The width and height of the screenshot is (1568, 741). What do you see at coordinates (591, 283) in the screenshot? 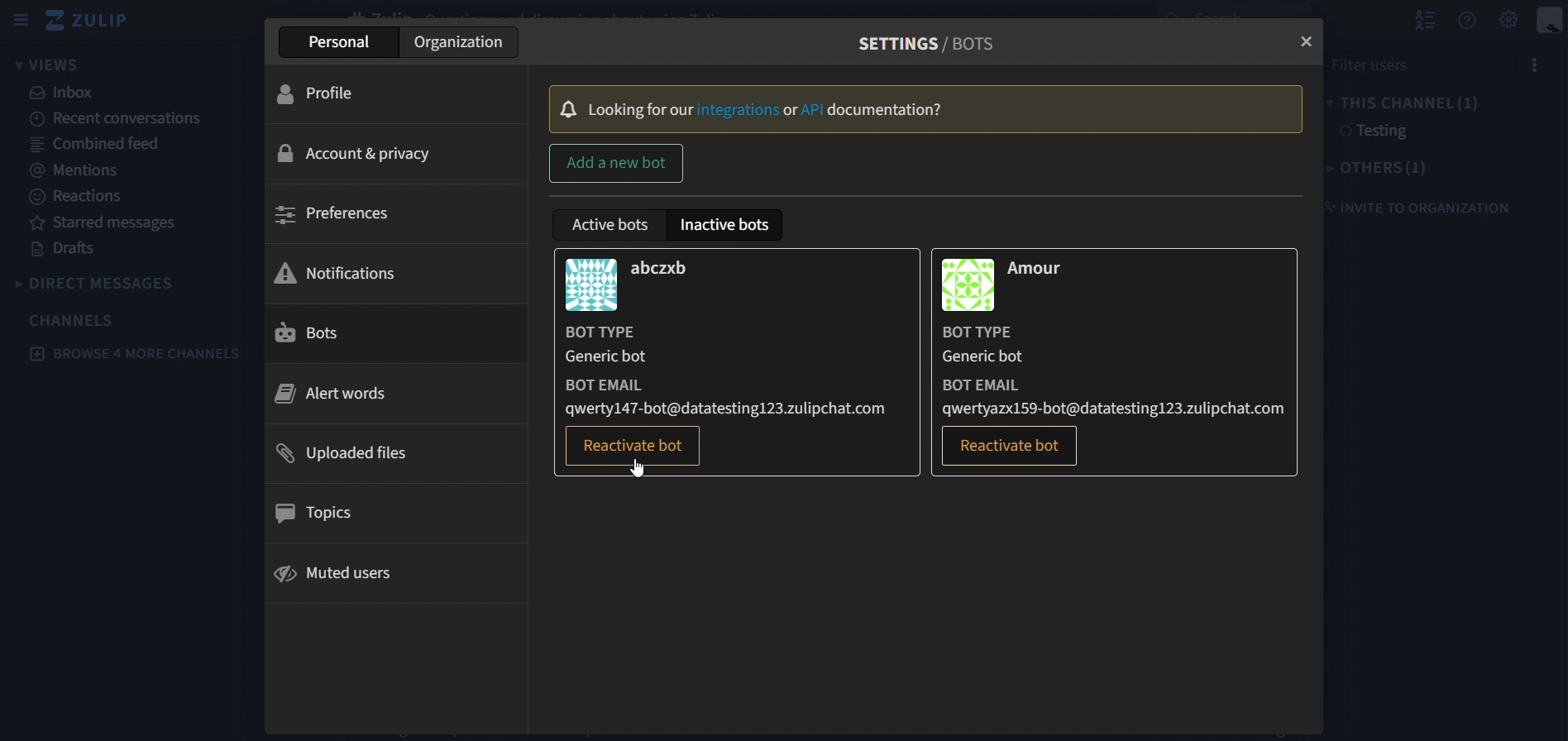
I see `image` at bounding box center [591, 283].